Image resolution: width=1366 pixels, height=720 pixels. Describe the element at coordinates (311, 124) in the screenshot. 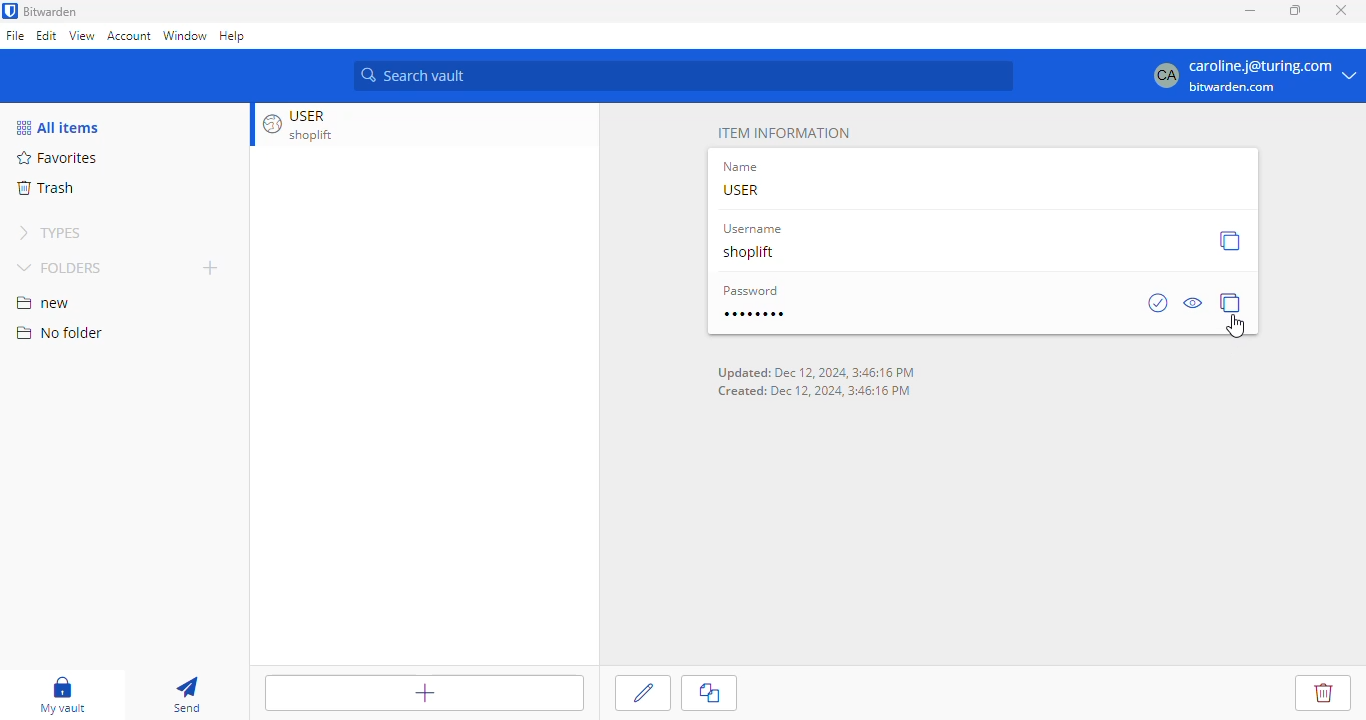

I see `USER   shoplift` at that location.